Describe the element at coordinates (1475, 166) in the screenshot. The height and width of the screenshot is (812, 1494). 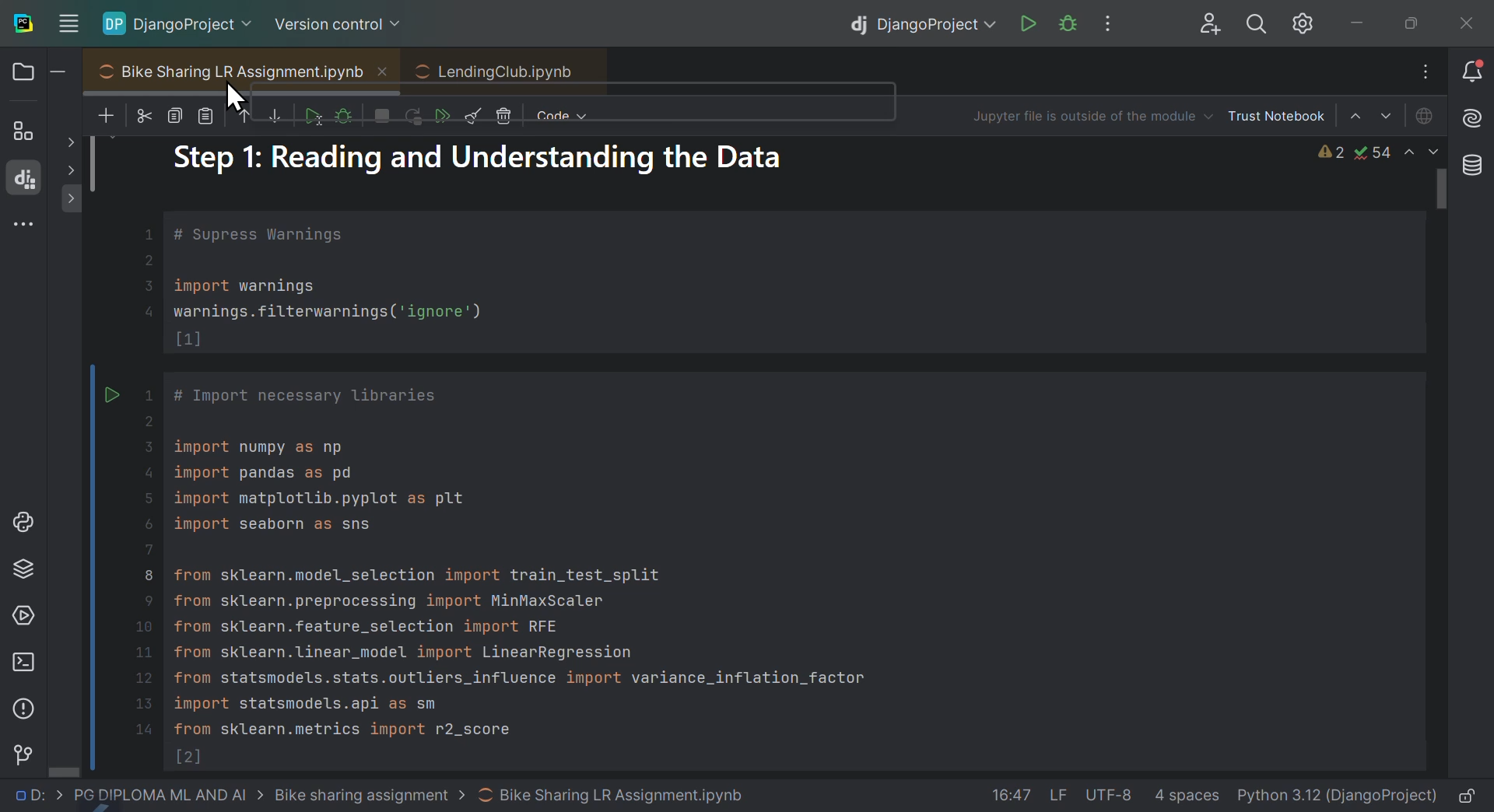
I see `Database` at that location.